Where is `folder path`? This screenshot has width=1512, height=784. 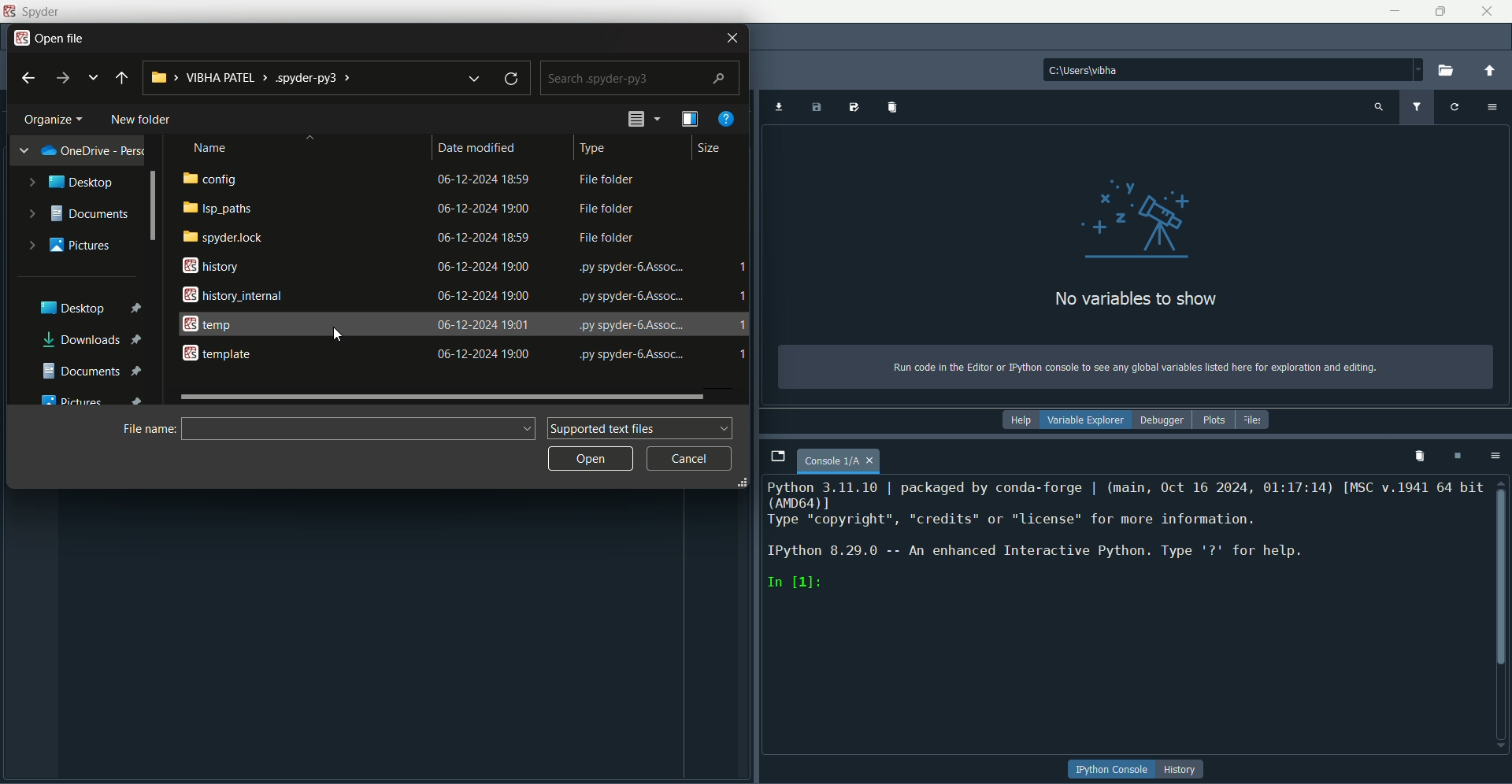
folder path is located at coordinates (300, 77).